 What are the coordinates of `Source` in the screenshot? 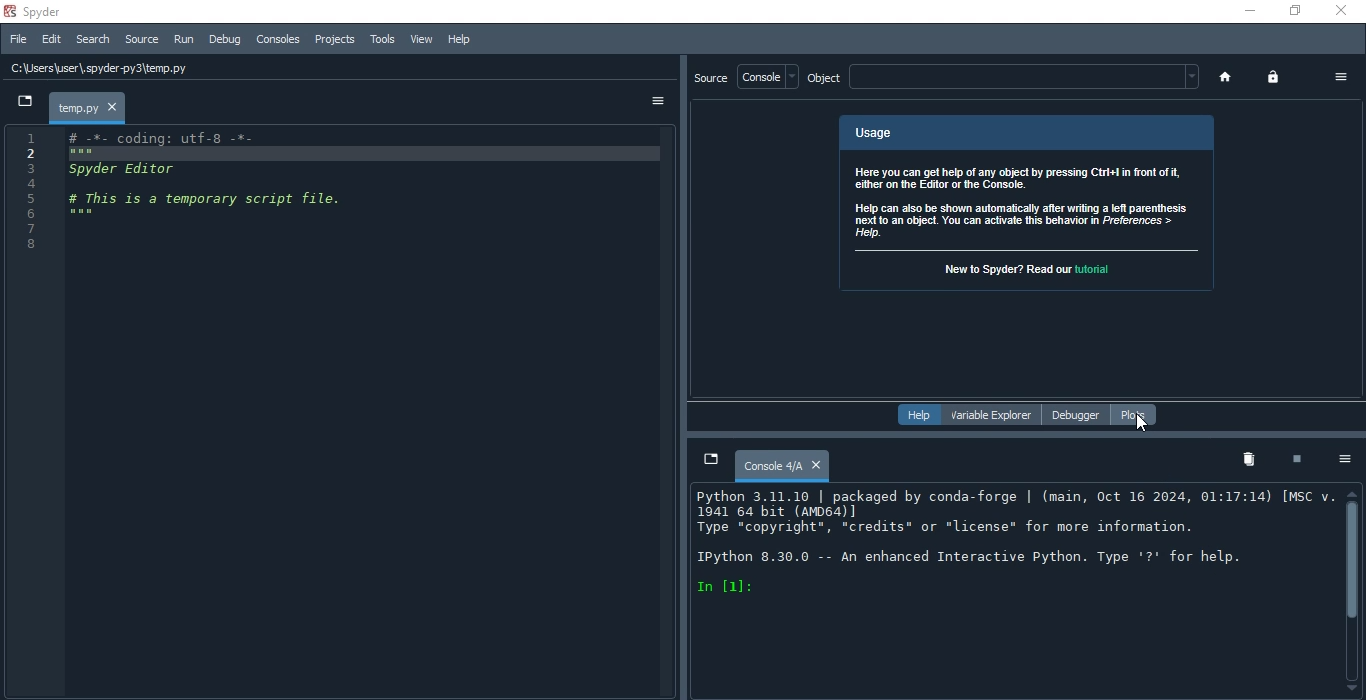 It's located at (139, 39).